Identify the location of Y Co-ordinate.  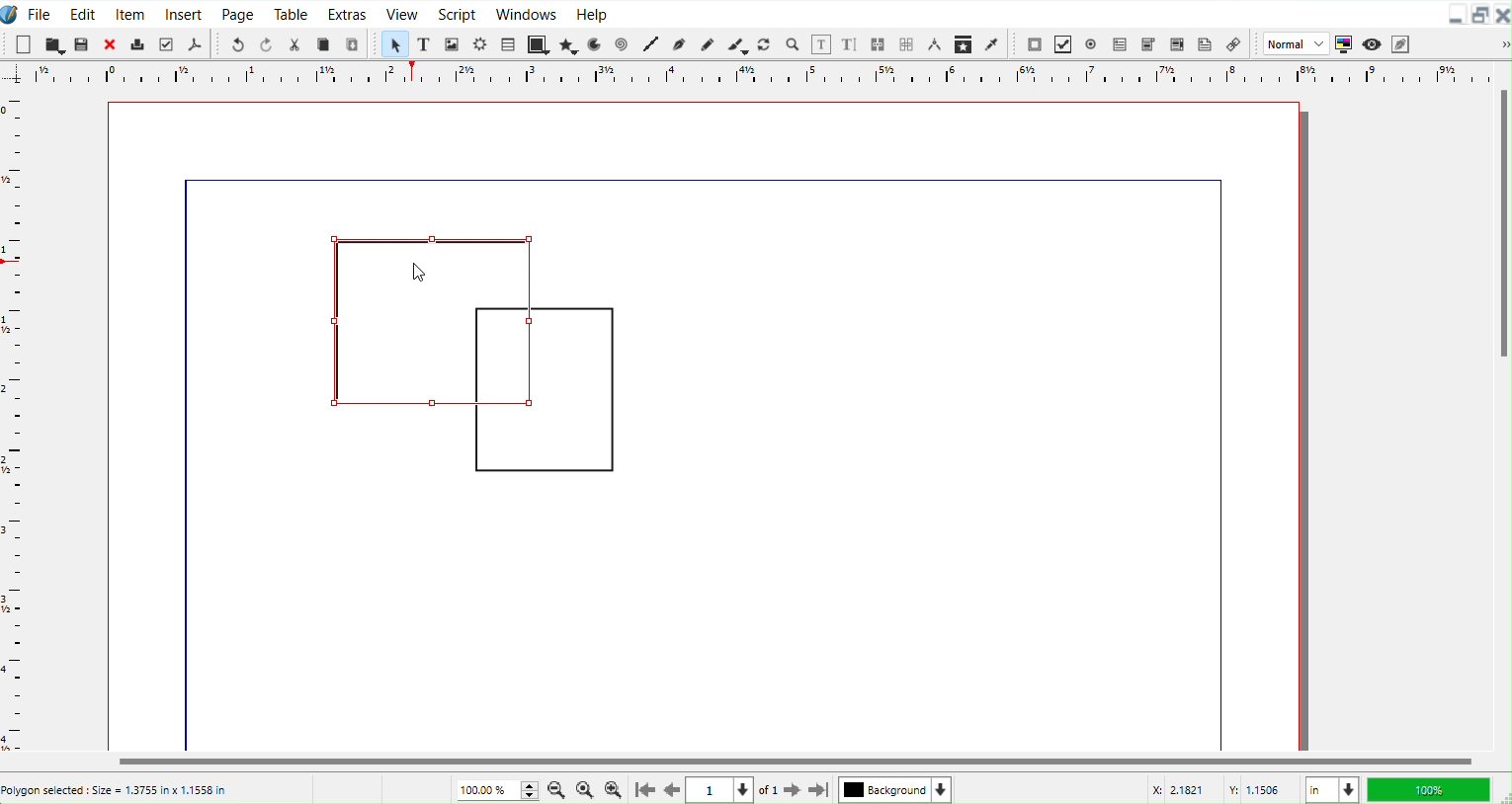
(1260, 791).